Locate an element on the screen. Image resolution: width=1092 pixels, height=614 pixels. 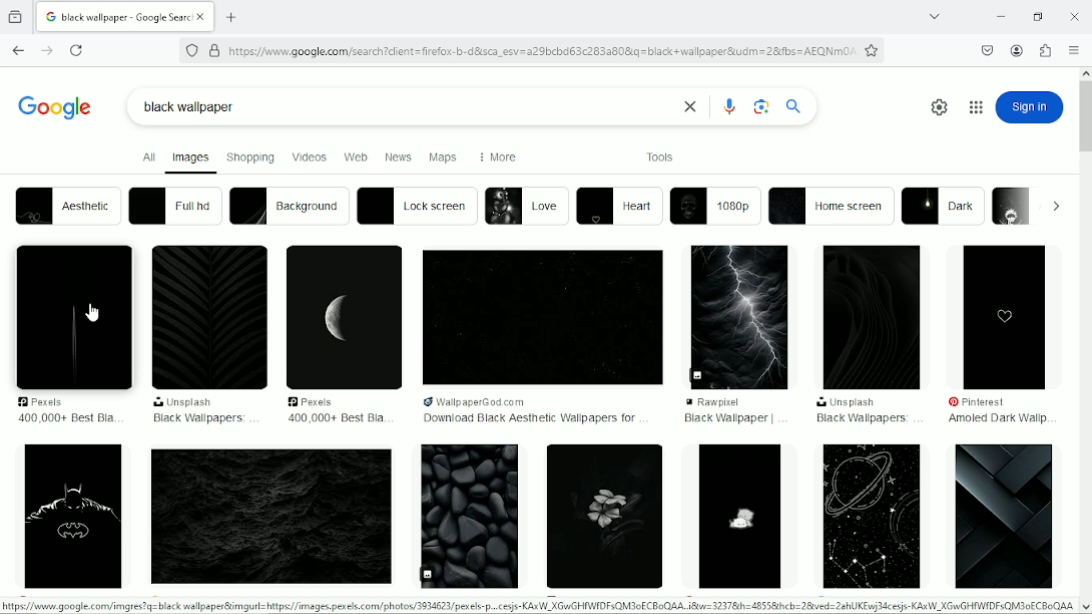
close is located at coordinates (687, 107).